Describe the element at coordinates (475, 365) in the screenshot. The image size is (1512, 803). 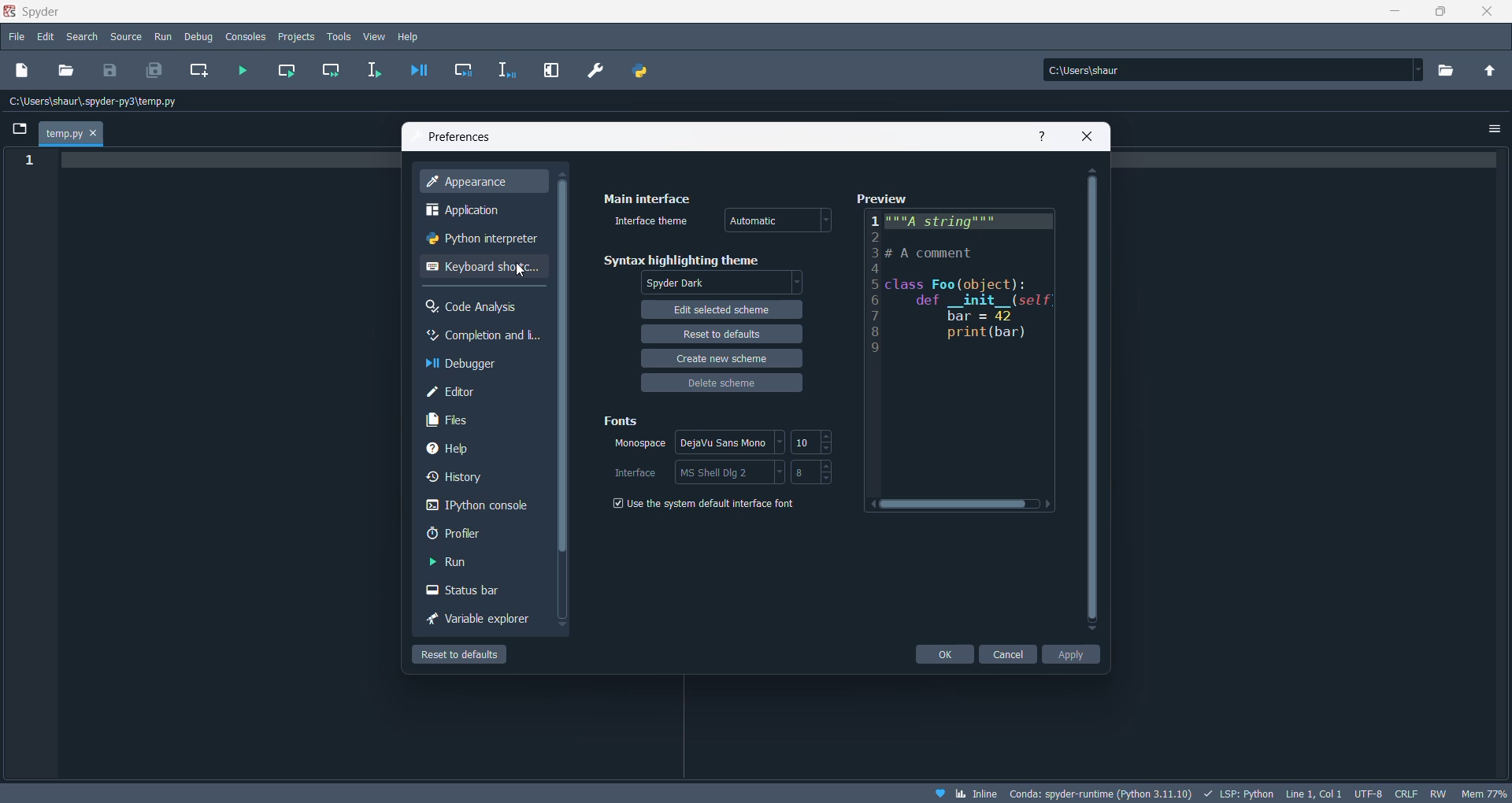
I see `debugger` at that location.